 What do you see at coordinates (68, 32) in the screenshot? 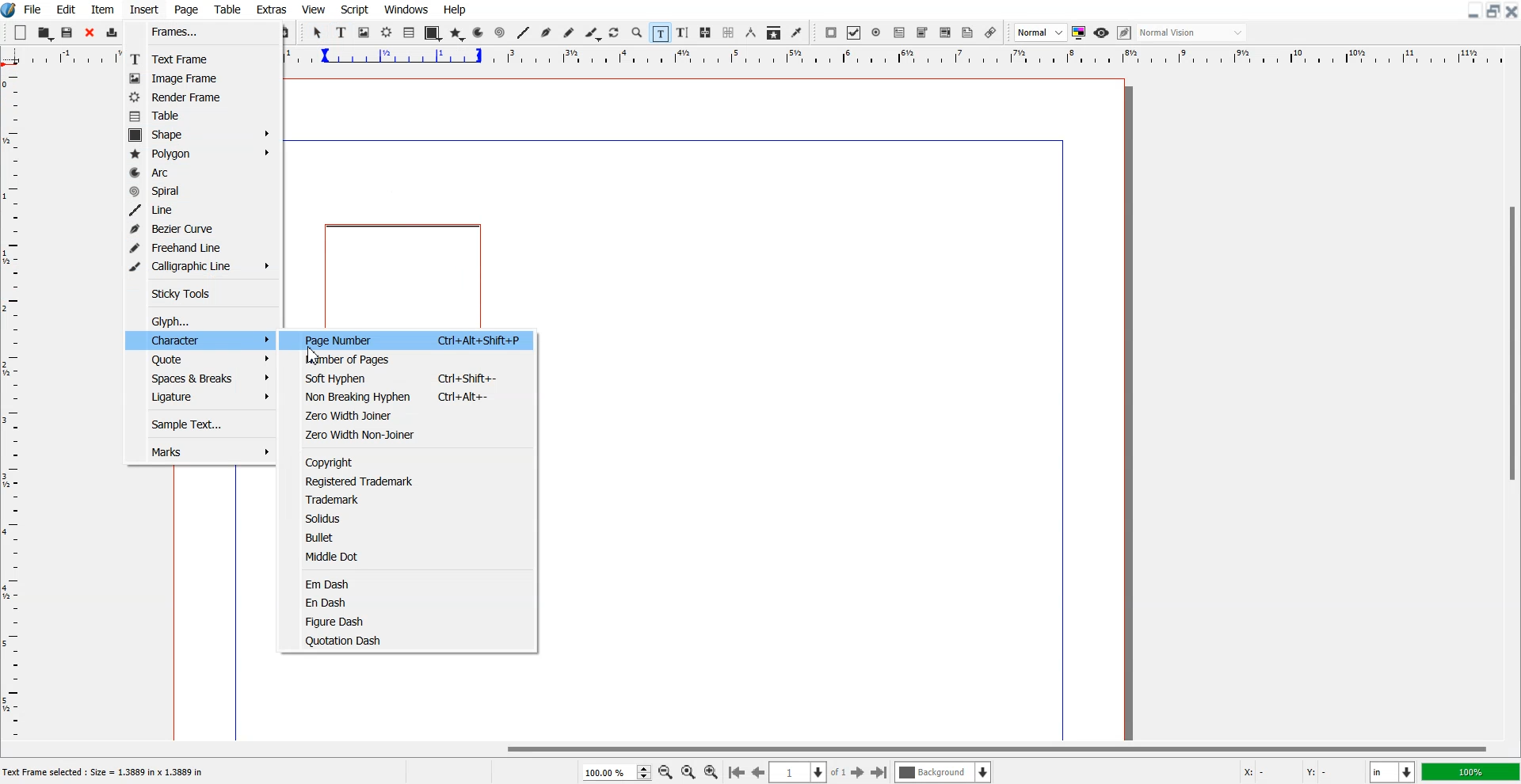
I see `Save` at bounding box center [68, 32].